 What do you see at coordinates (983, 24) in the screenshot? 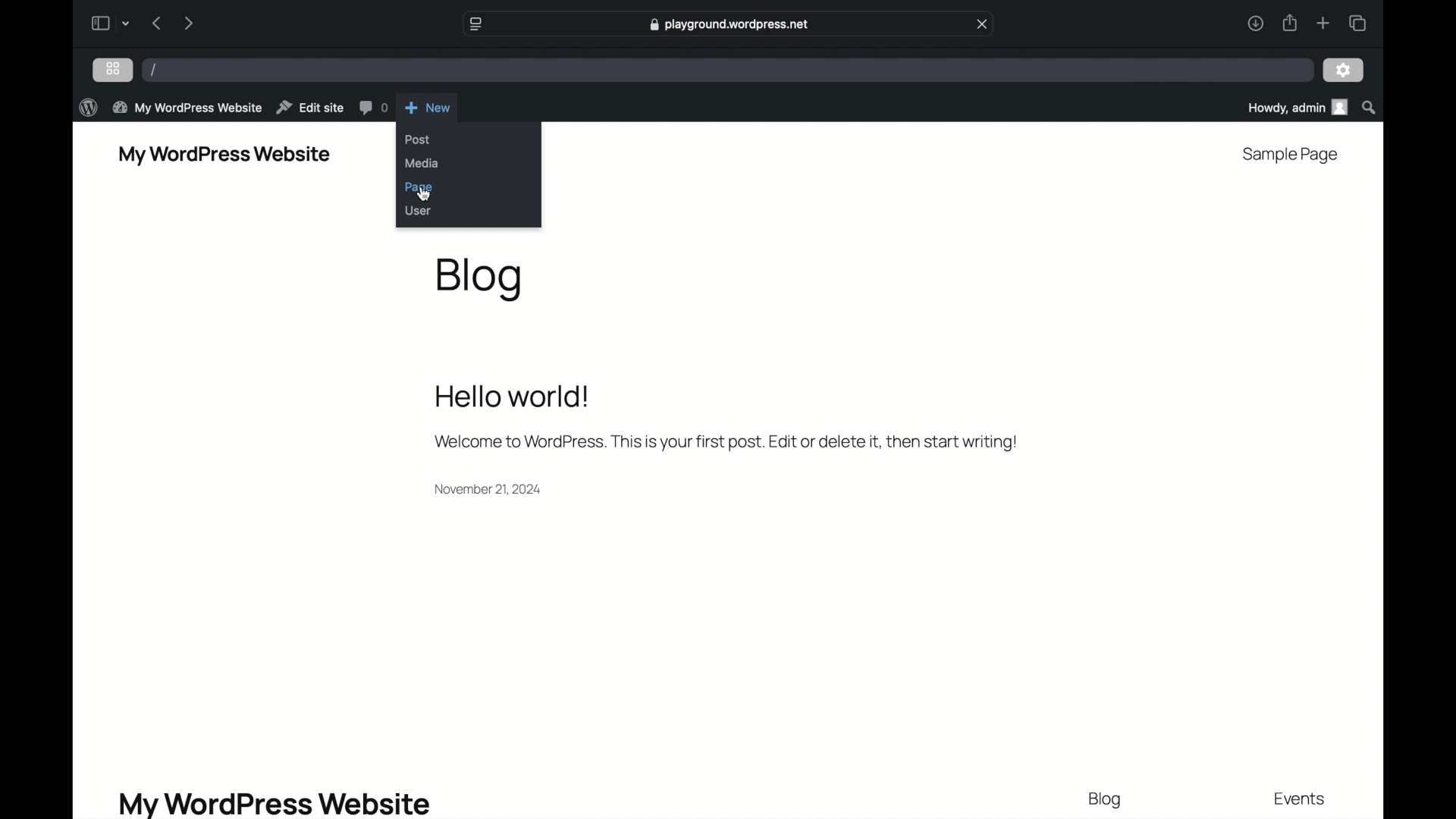
I see `close` at bounding box center [983, 24].